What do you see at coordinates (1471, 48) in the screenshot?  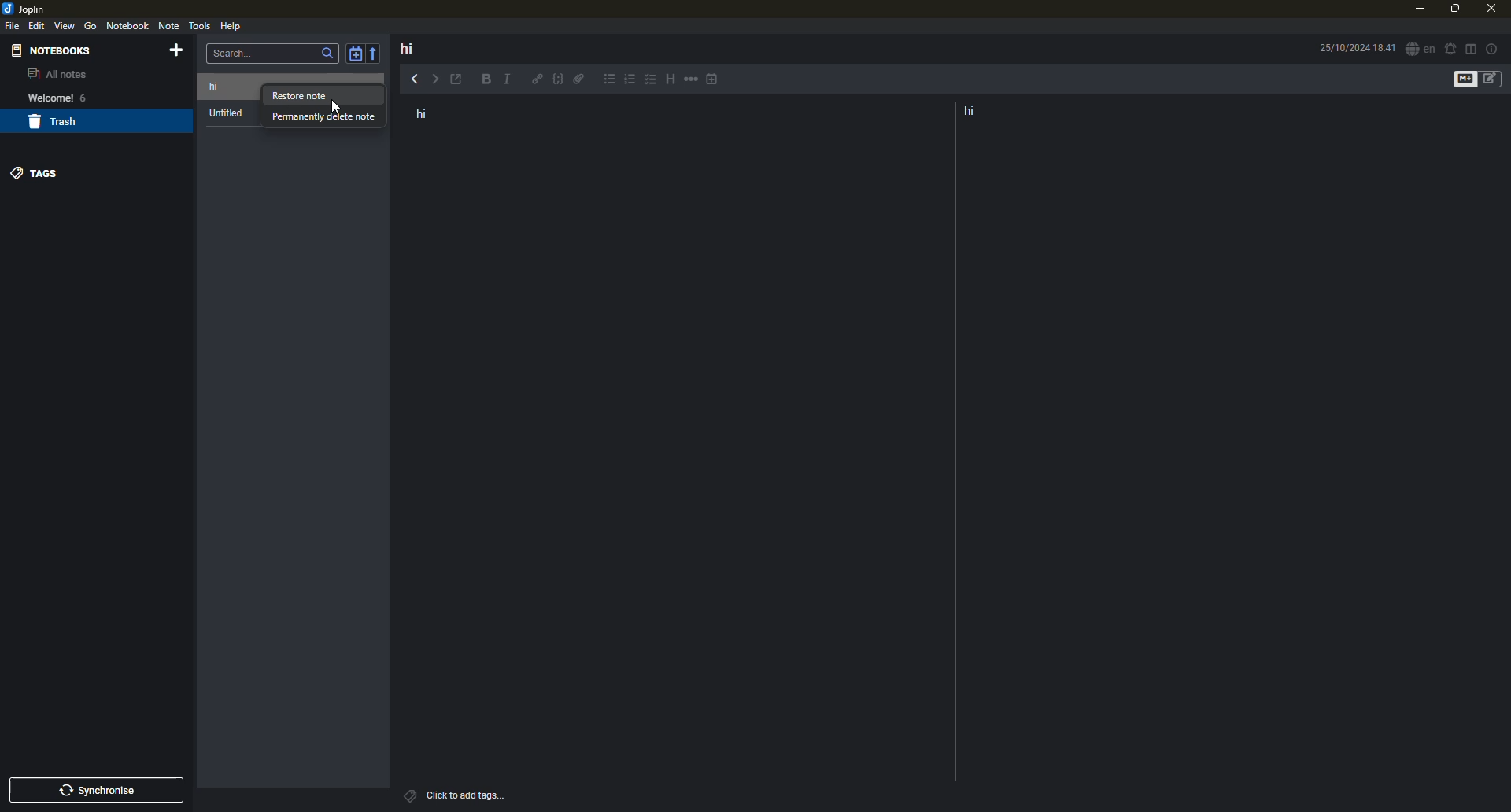 I see `toggle editor layout` at bounding box center [1471, 48].